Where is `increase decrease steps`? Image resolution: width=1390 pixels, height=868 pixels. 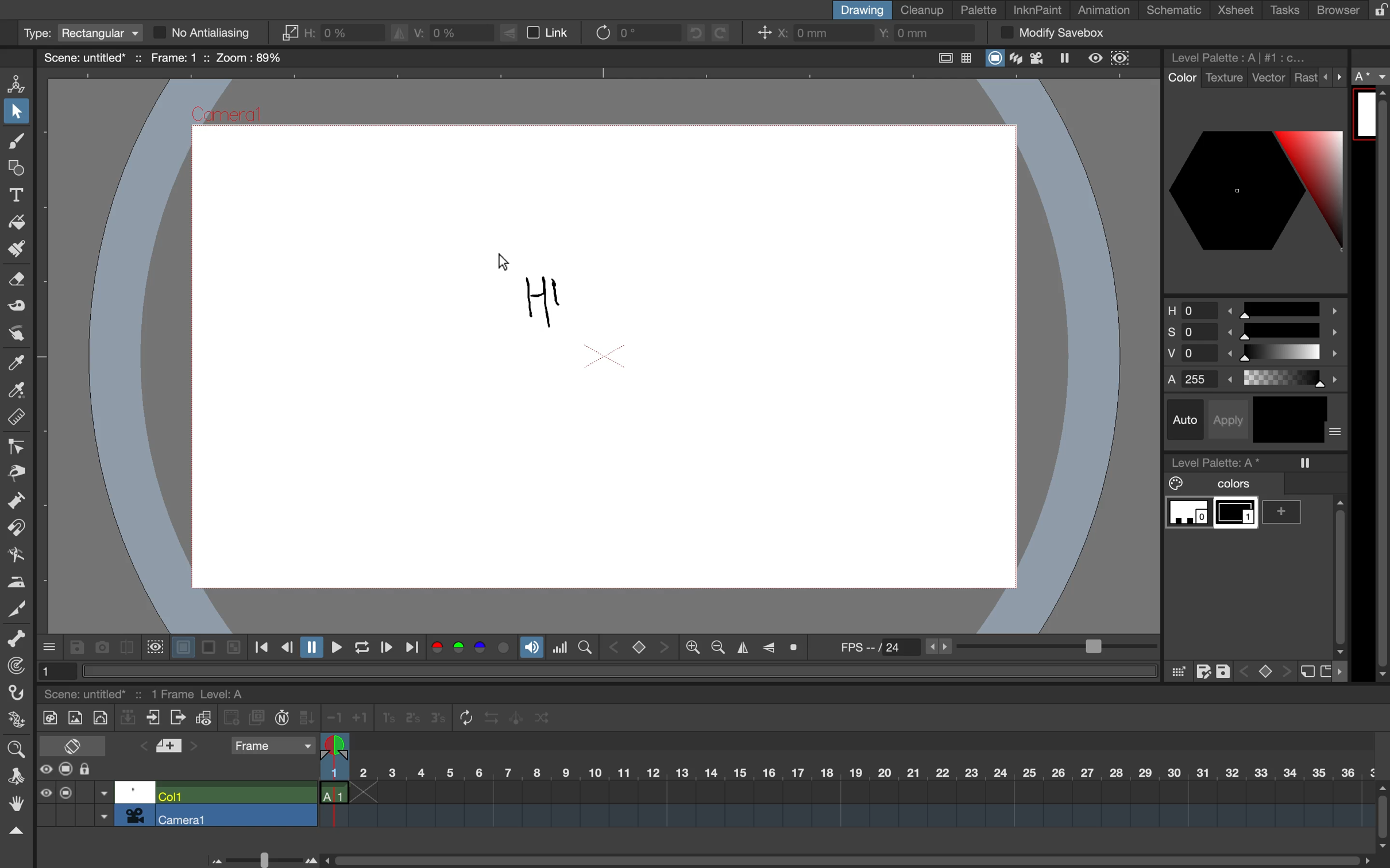
increase decrease steps is located at coordinates (344, 718).